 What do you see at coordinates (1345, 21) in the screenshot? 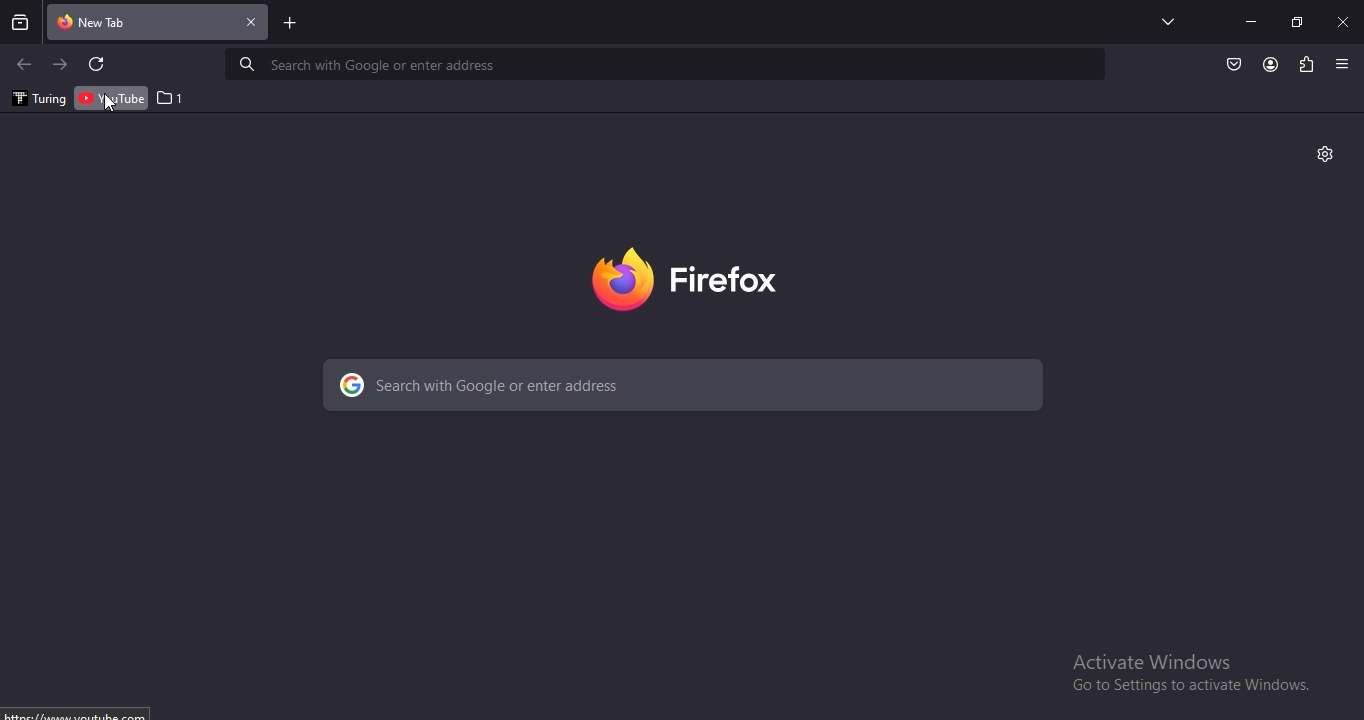
I see `close` at bounding box center [1345, 21].